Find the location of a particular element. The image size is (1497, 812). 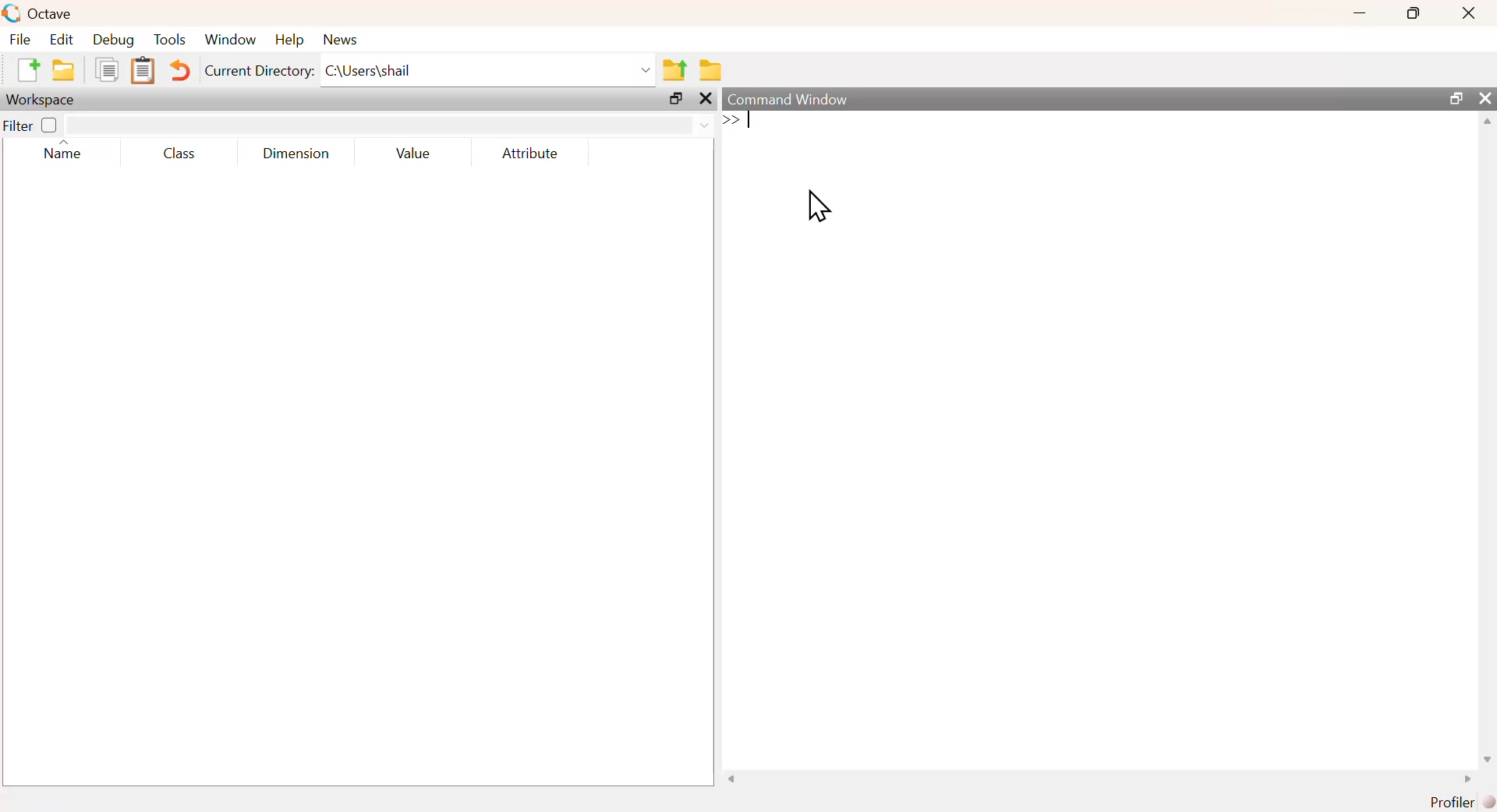

Current Directory: is located at coordinates (260, 70).